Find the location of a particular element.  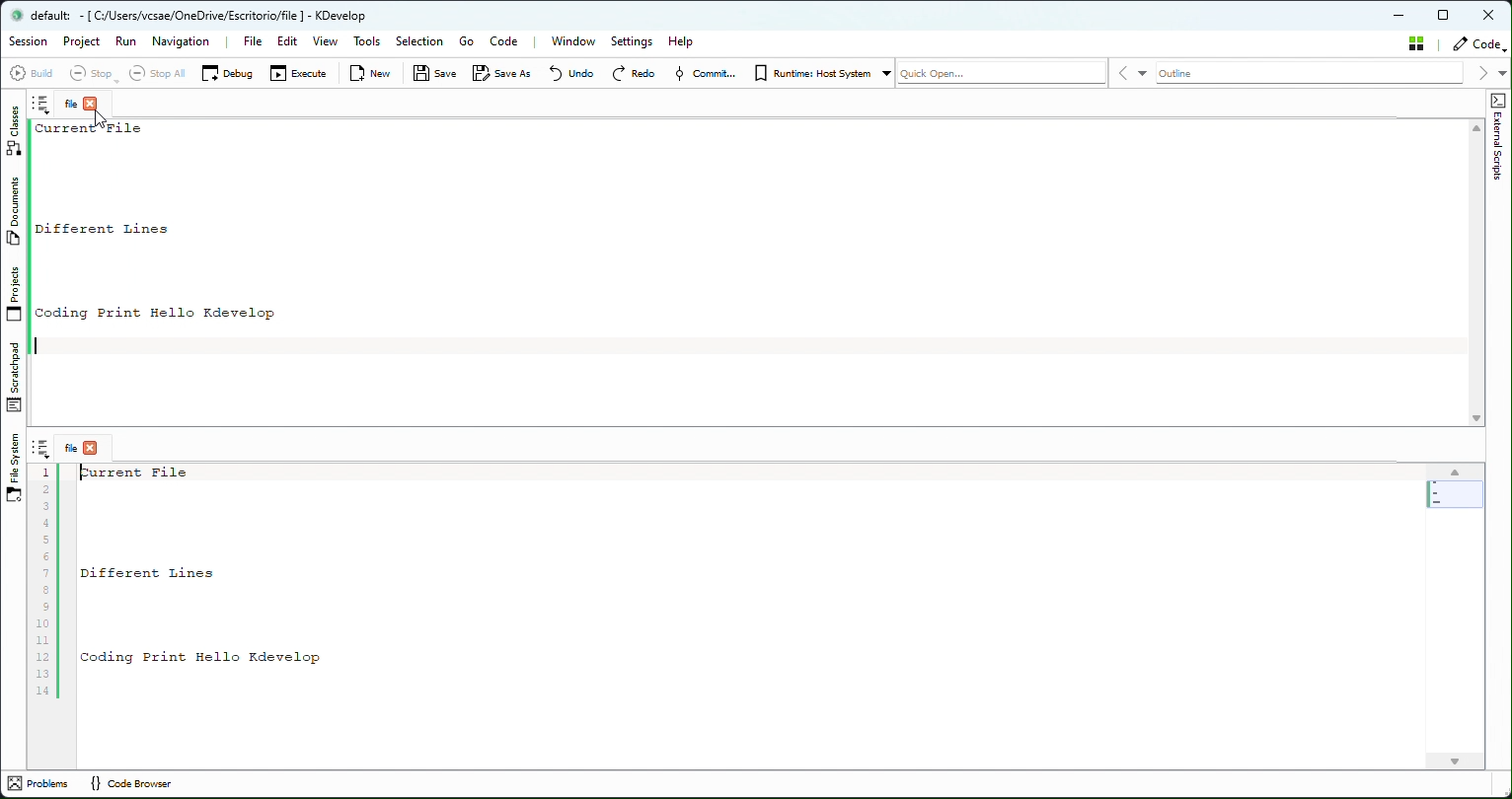

KDevelop Desktop Ion is located at coordinates (15, 16).